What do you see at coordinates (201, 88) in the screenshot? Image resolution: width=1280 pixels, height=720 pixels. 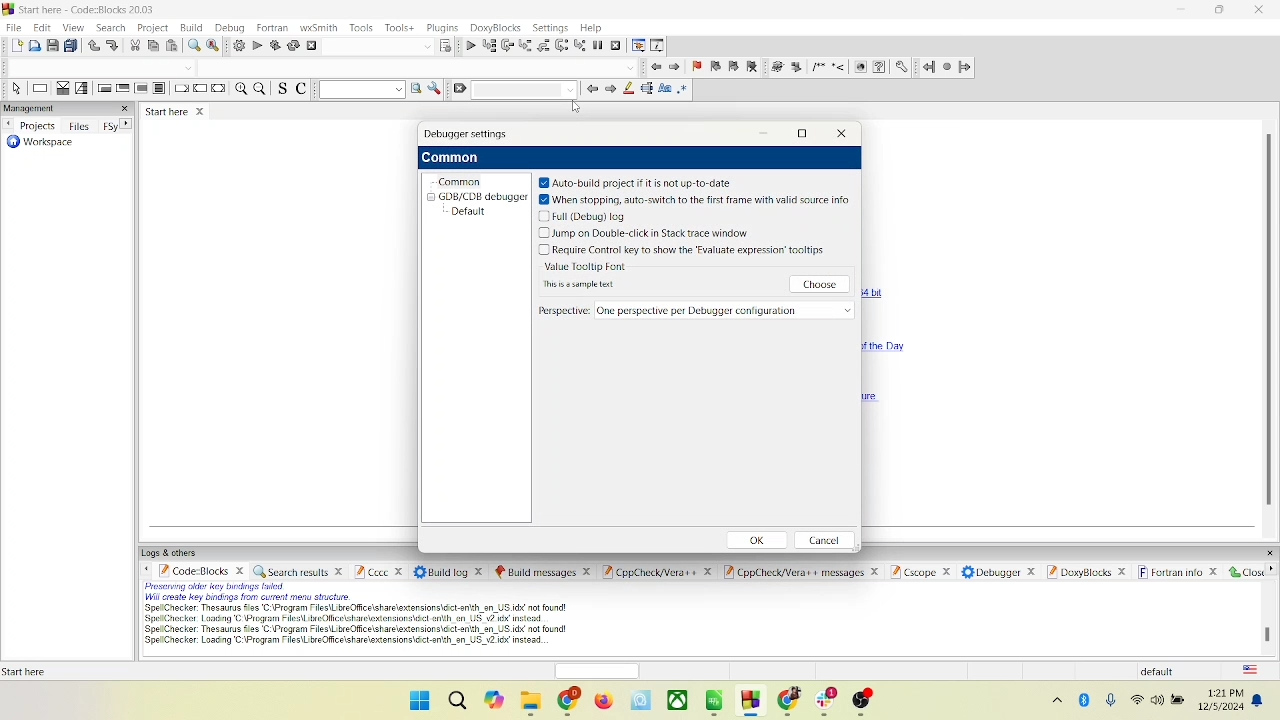 I see `continue instruction` at bounding box center [201, 88].